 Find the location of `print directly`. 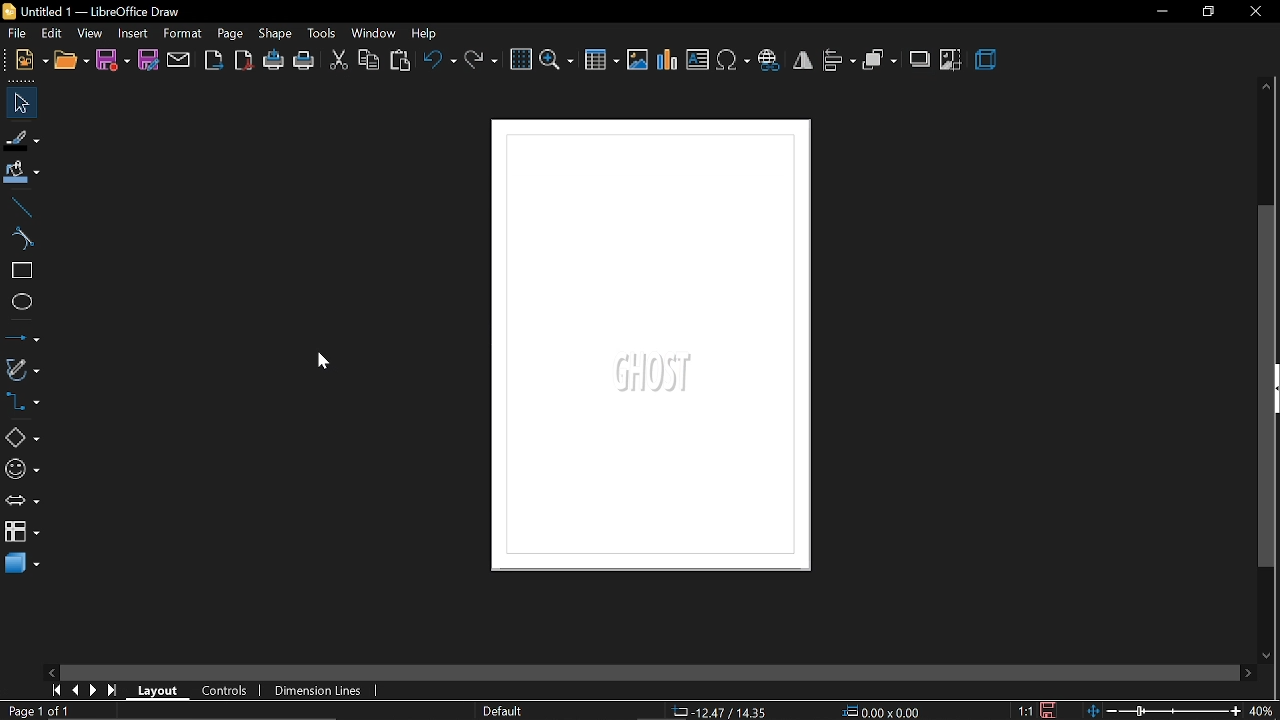

print directly is located at coordinates (272, 61).